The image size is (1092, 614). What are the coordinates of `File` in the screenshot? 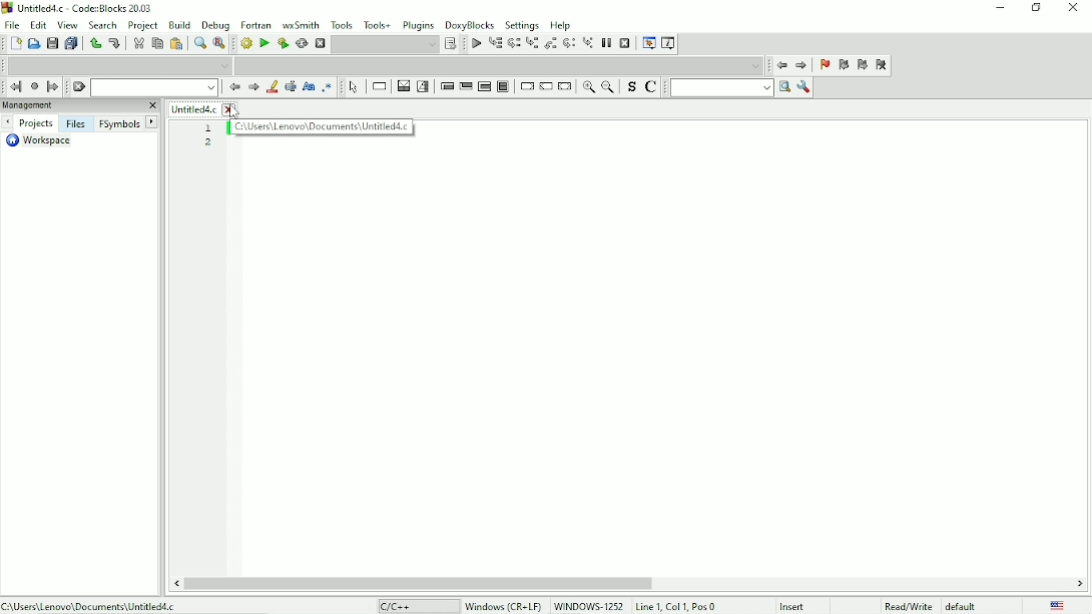 It's located at (12, 25).